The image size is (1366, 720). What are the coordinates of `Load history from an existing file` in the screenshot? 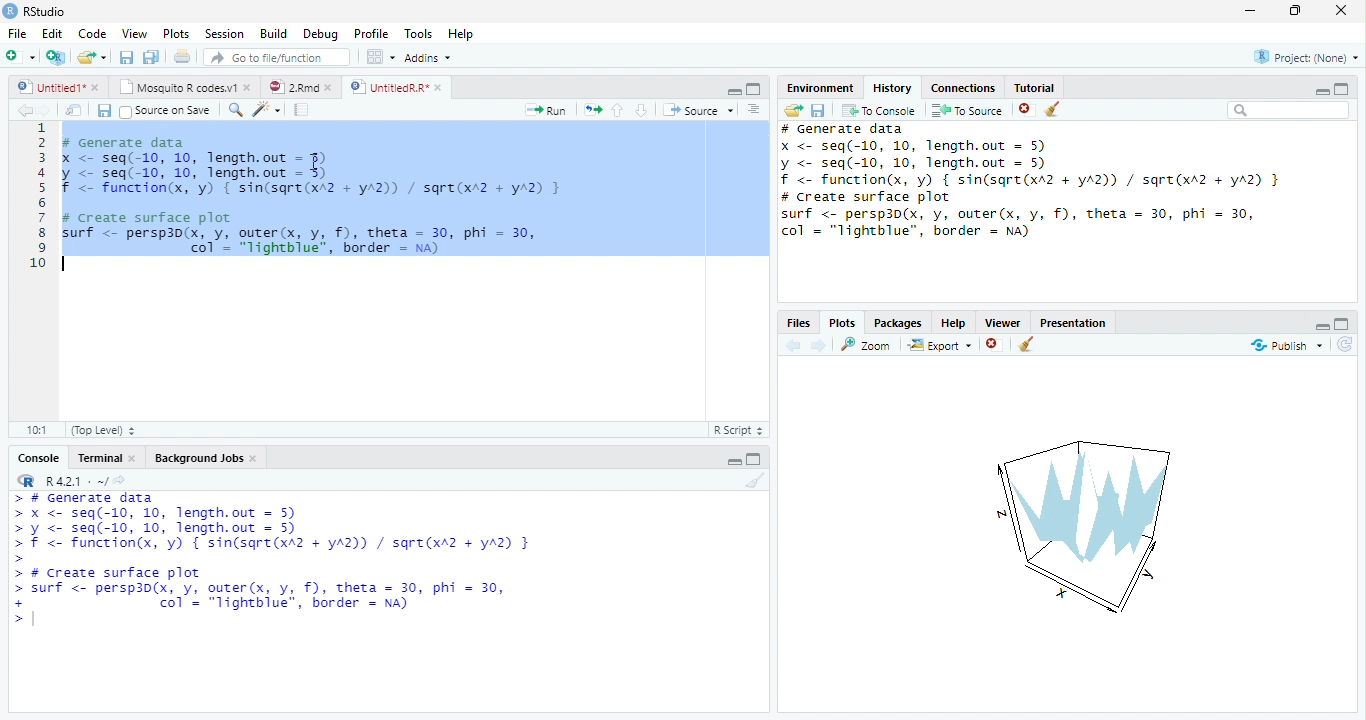 It's located at (792, 111).